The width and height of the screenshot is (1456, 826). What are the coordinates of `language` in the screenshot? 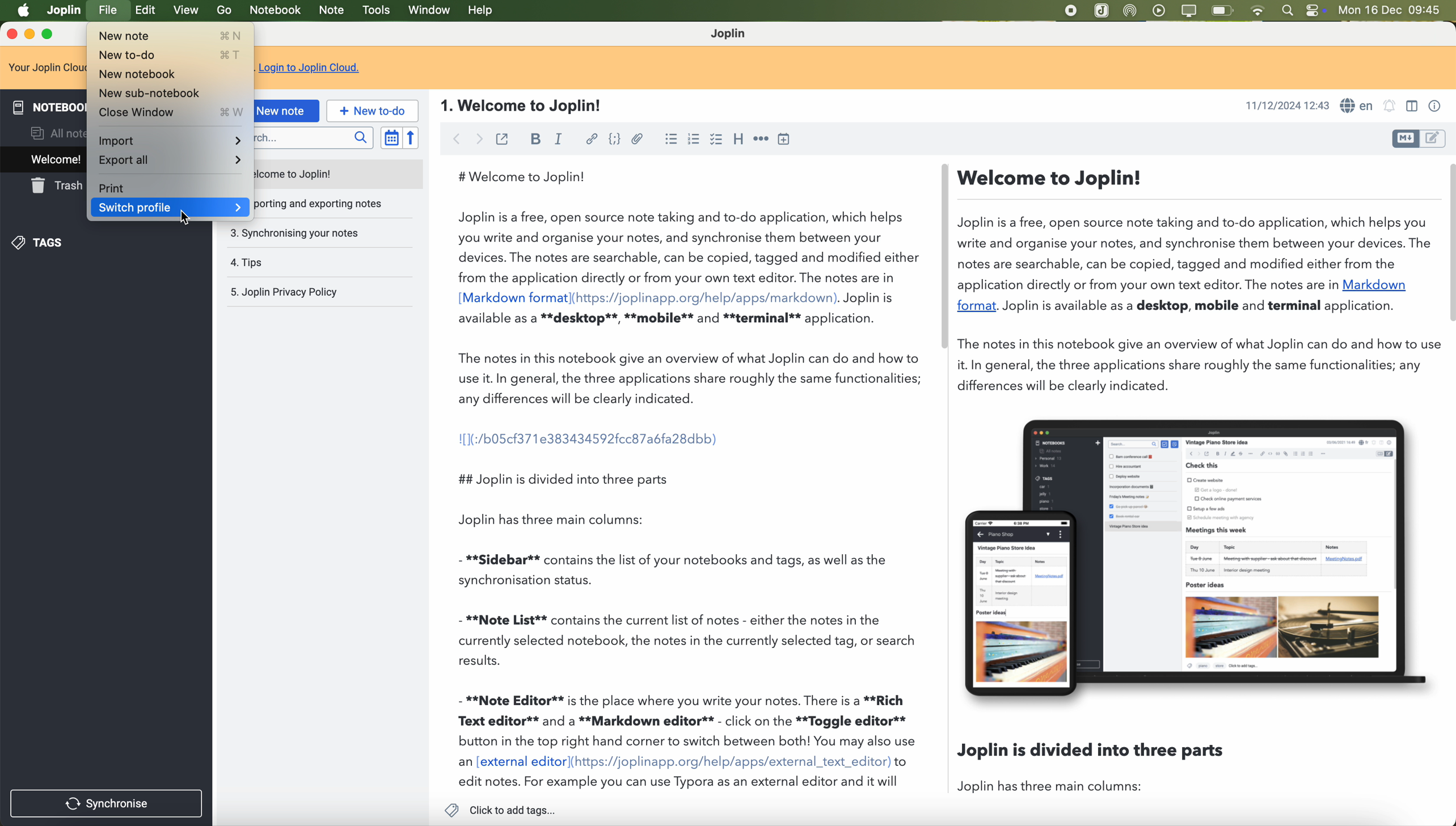 It's located at (1358, 106).